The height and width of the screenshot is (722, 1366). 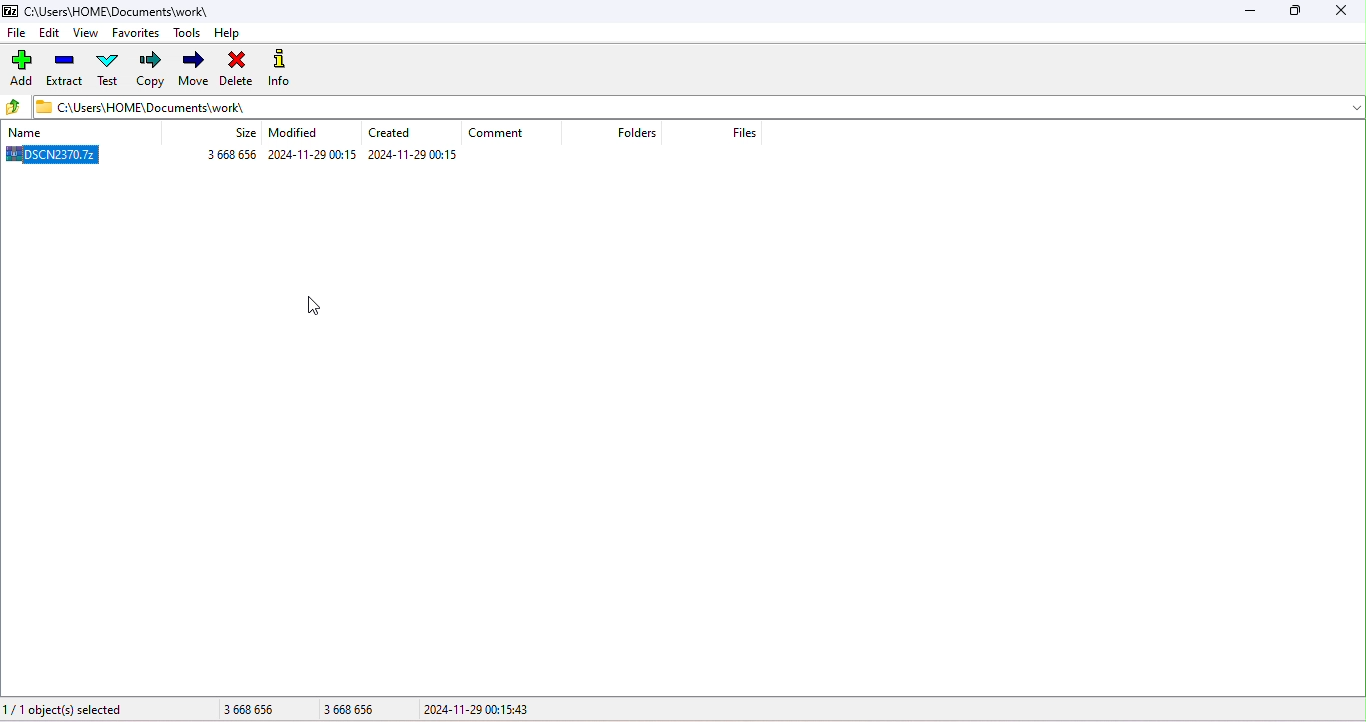 What do you see at coordinates (300, 135) in the screenshot?
I see `modification date` at bounding box center [300, 135].